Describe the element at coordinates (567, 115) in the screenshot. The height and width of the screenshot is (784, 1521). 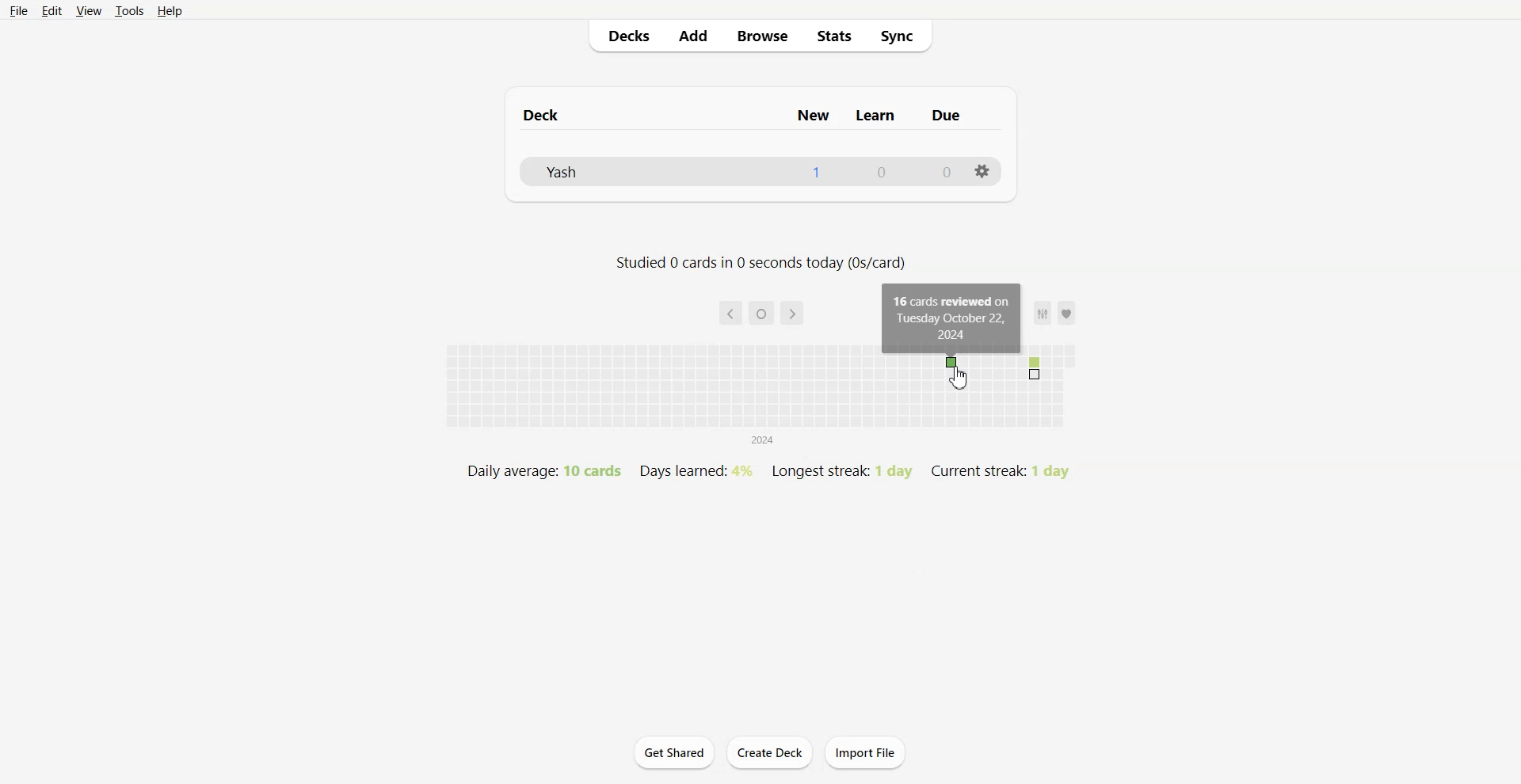
I see `deck` at that location.